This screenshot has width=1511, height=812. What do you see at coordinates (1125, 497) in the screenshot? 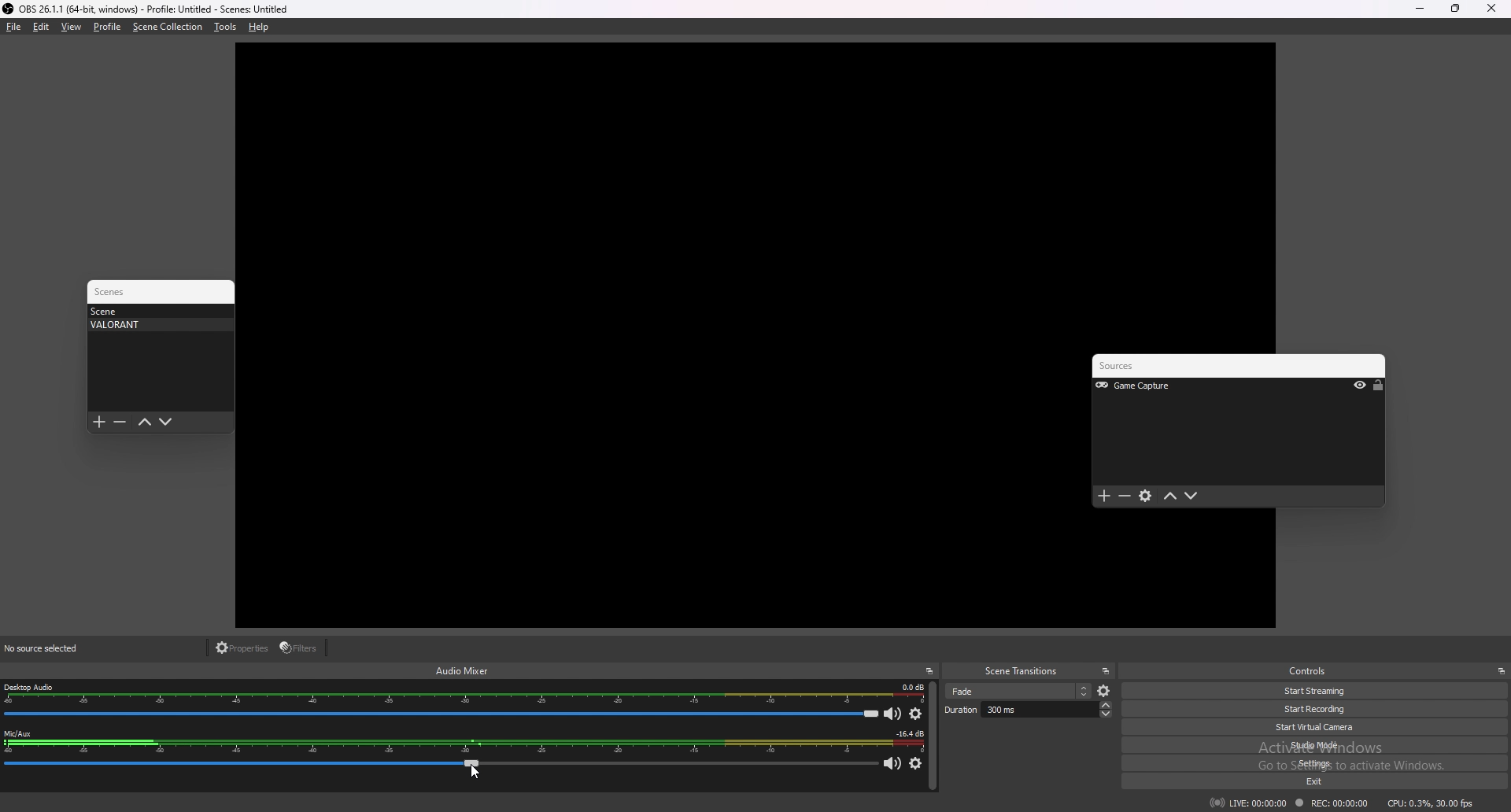
I see `remove` at bounding box center [1125, 497].